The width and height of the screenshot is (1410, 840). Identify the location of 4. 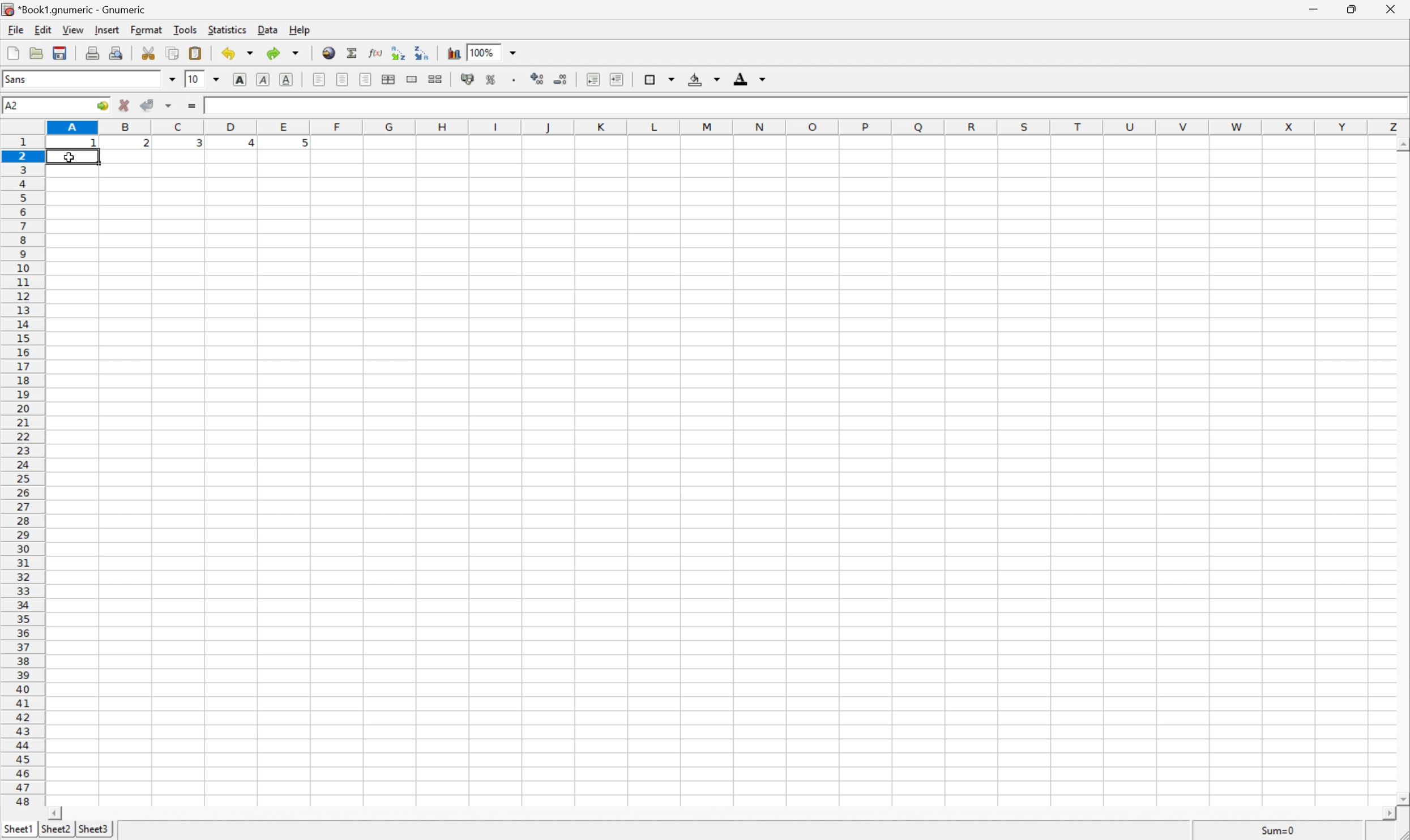
(246, 144).